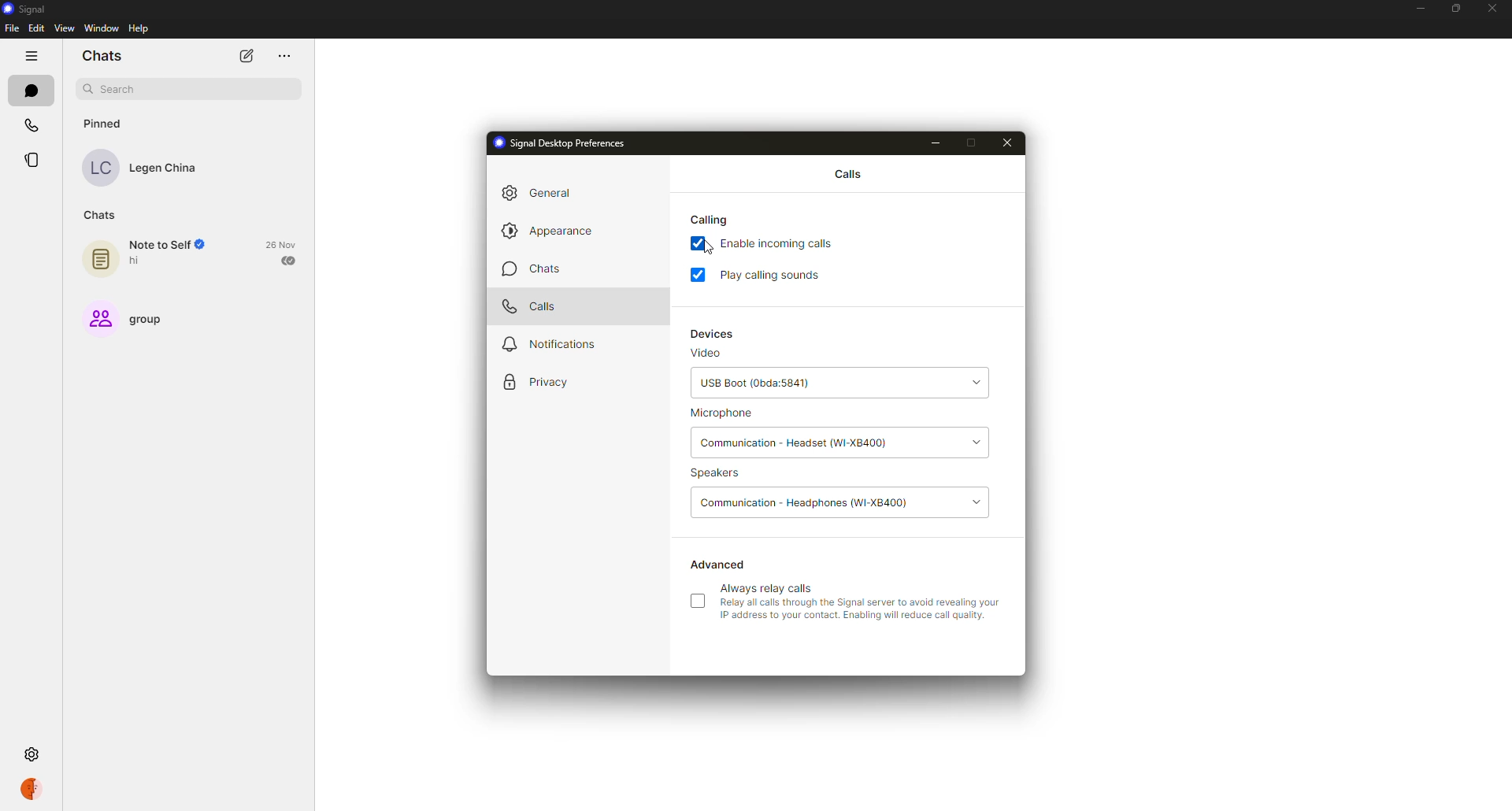 The height and width of the screenshot is (811, 1512). Describe the element at coordinates (124, 321) in the screenshot. I see `group` at that location.